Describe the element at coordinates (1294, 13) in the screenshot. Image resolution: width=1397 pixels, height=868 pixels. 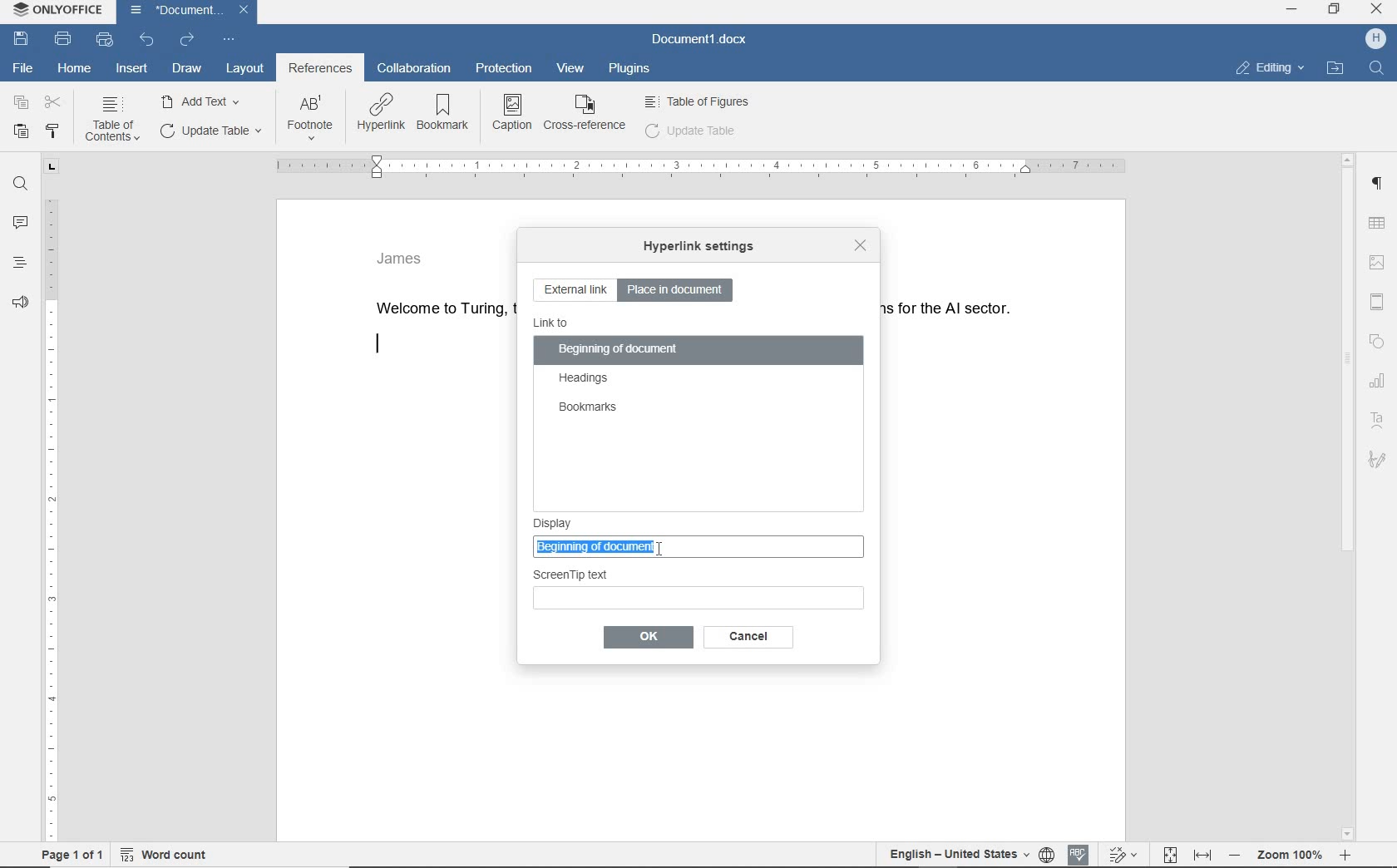
I see `Minimize` at that location.